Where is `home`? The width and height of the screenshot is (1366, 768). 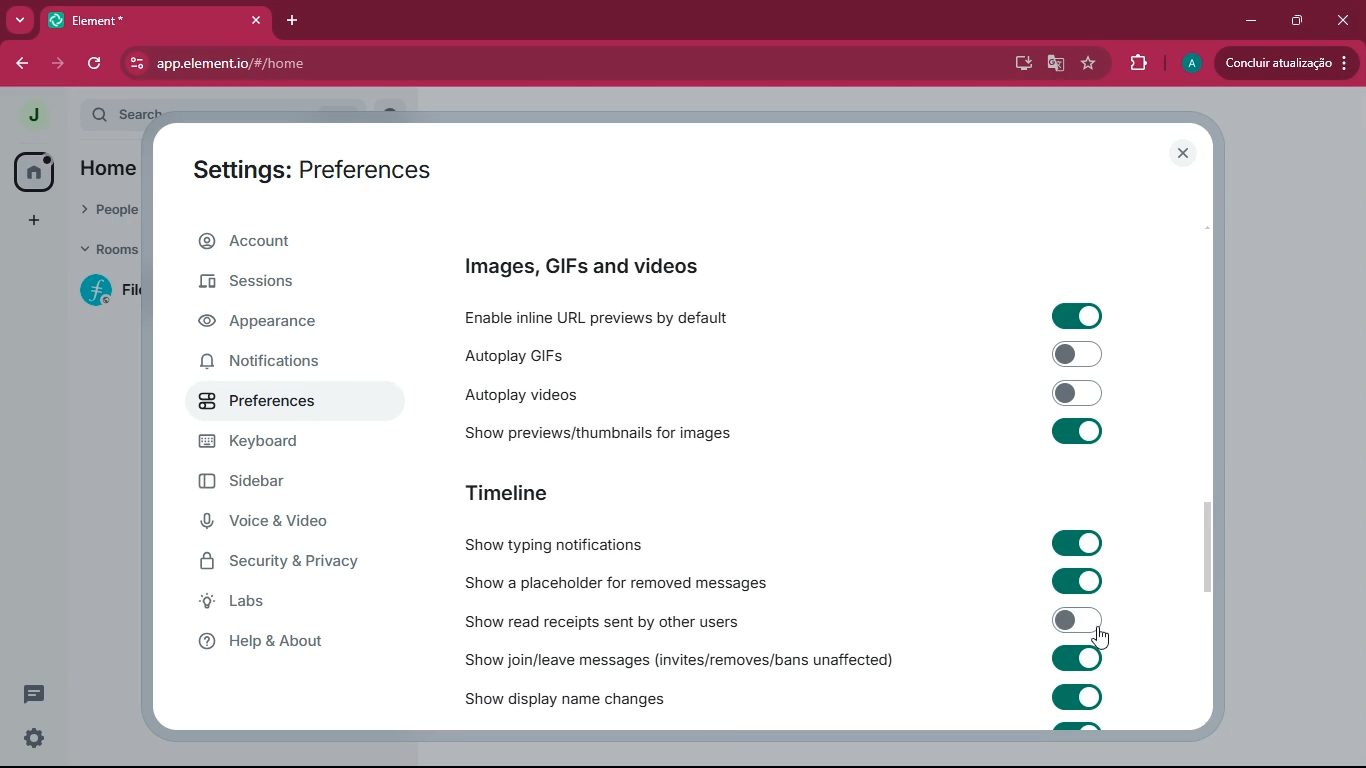 home is located at coordinates (32, 172).